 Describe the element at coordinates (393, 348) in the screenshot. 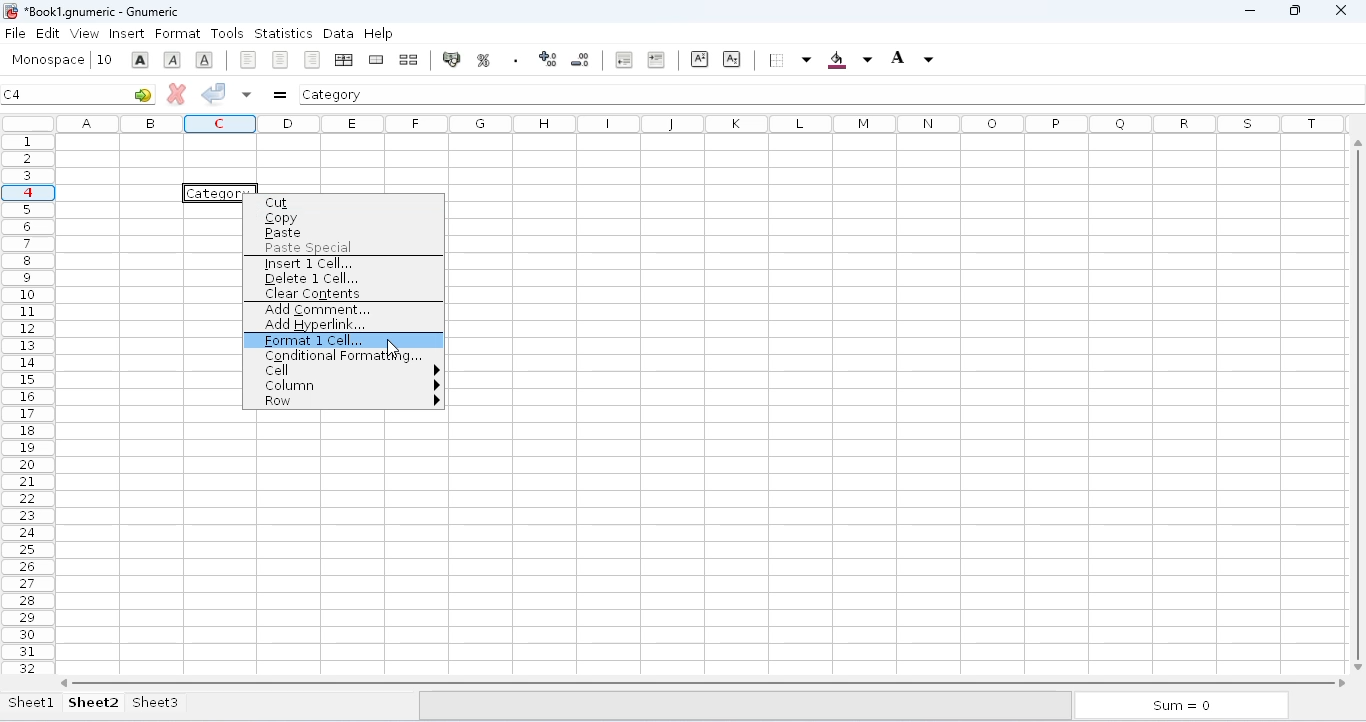

I see `cursor` at that location.